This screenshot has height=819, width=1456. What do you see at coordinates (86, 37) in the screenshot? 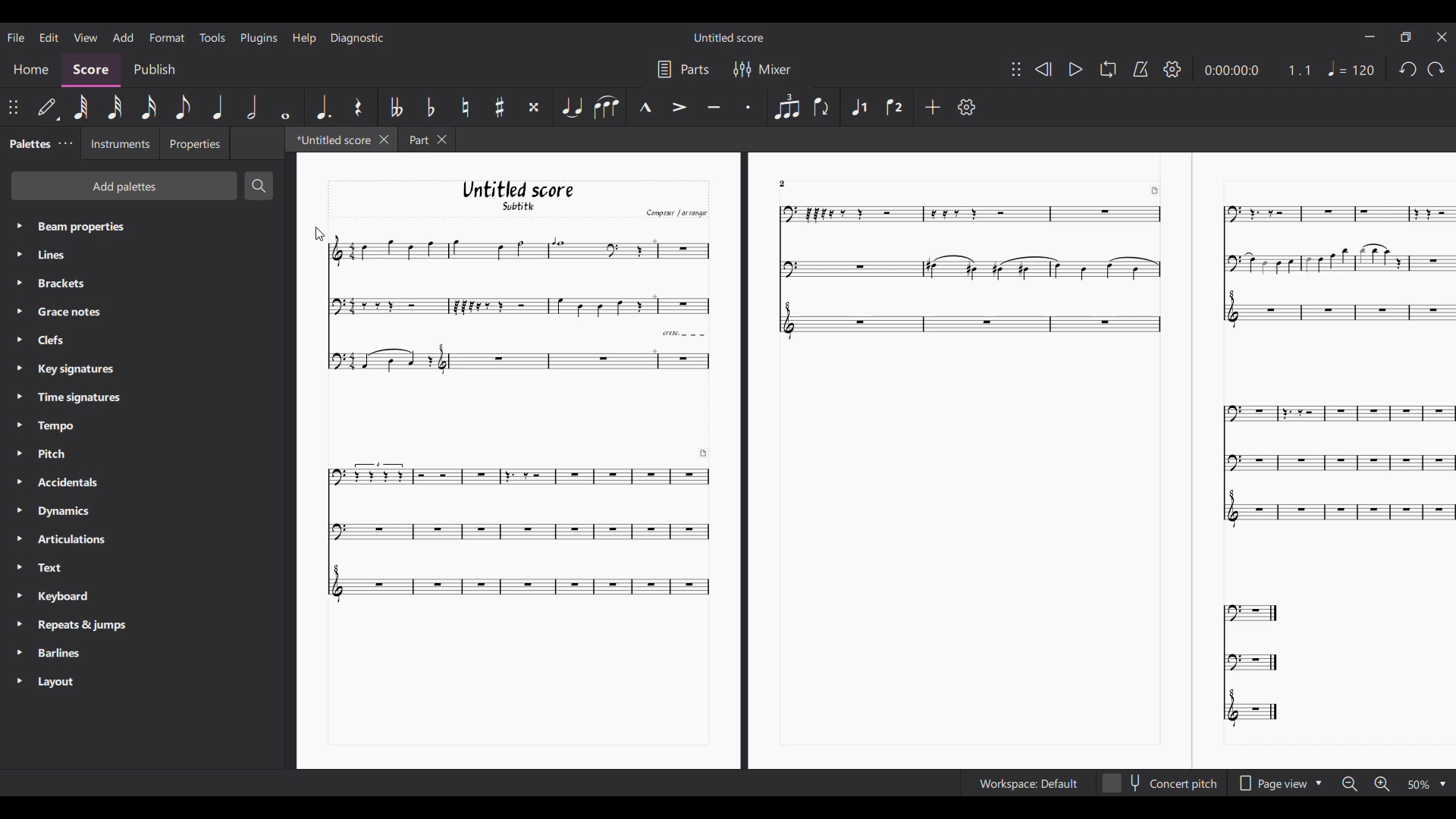
I see `View ` at bounding box center [86, 37].